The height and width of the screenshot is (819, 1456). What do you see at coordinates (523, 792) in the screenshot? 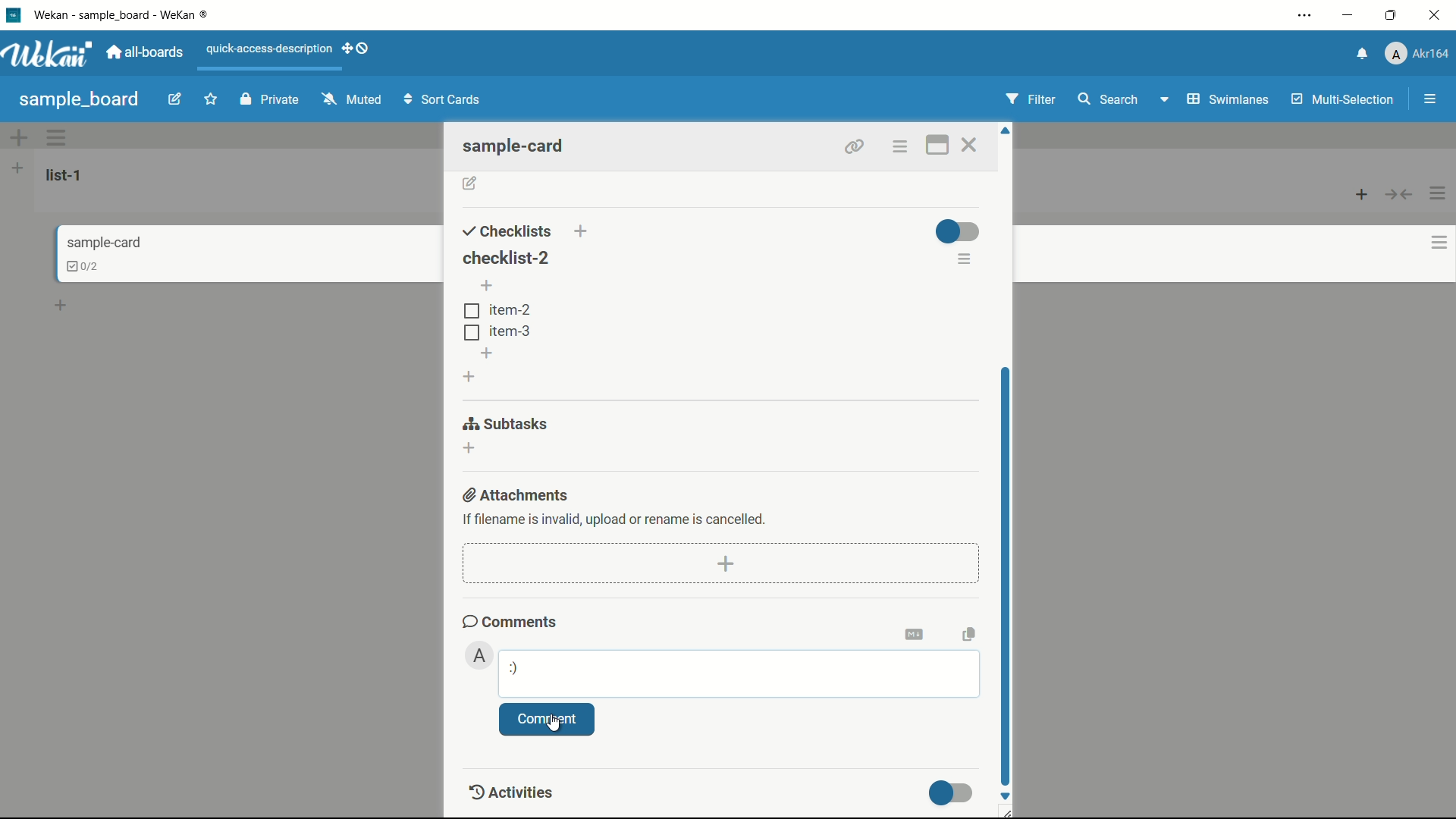
I see `Activities` at bounding box center [523, 792].